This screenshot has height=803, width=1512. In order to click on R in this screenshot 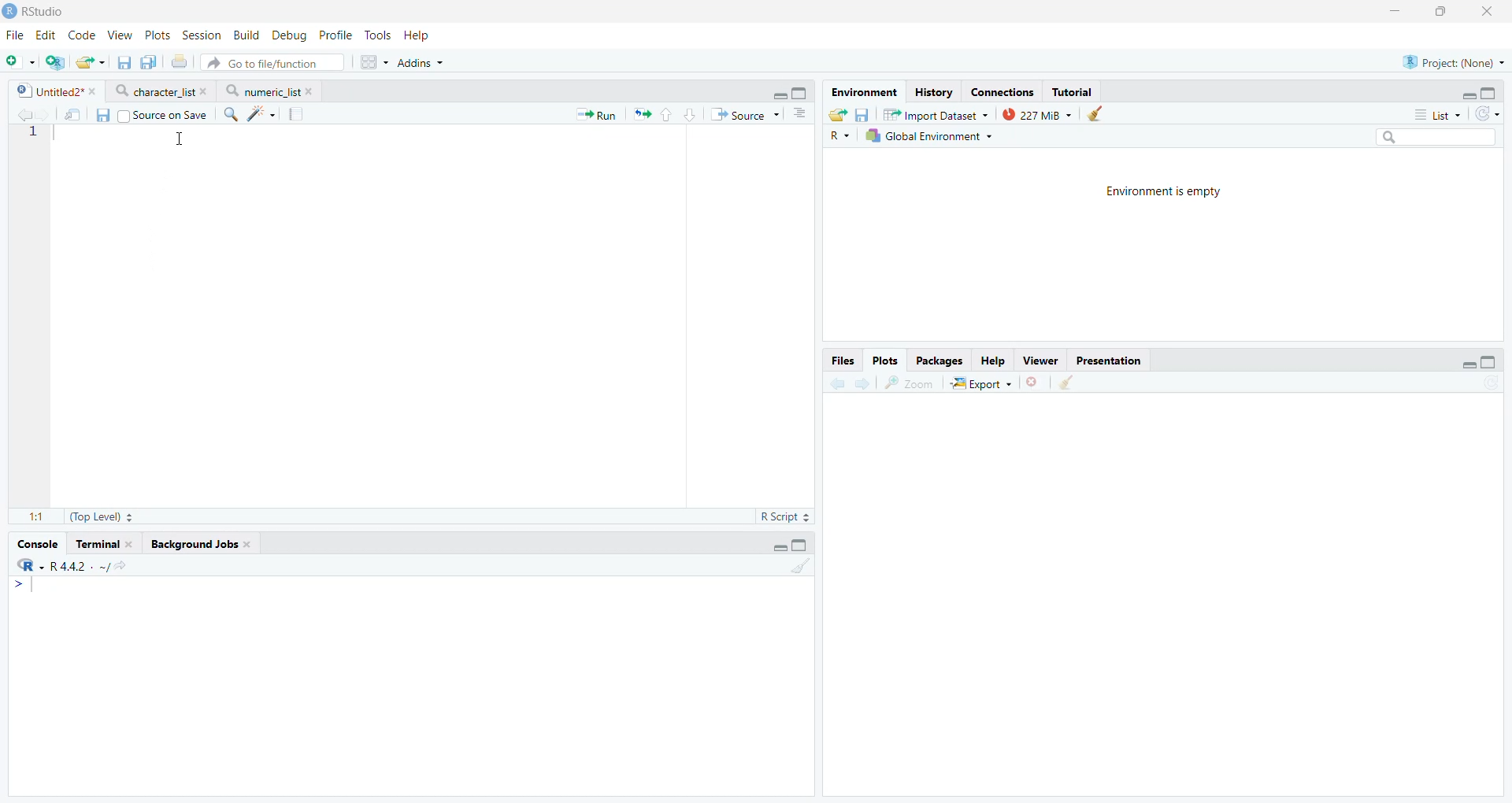, I will do `click(841, 135)`.